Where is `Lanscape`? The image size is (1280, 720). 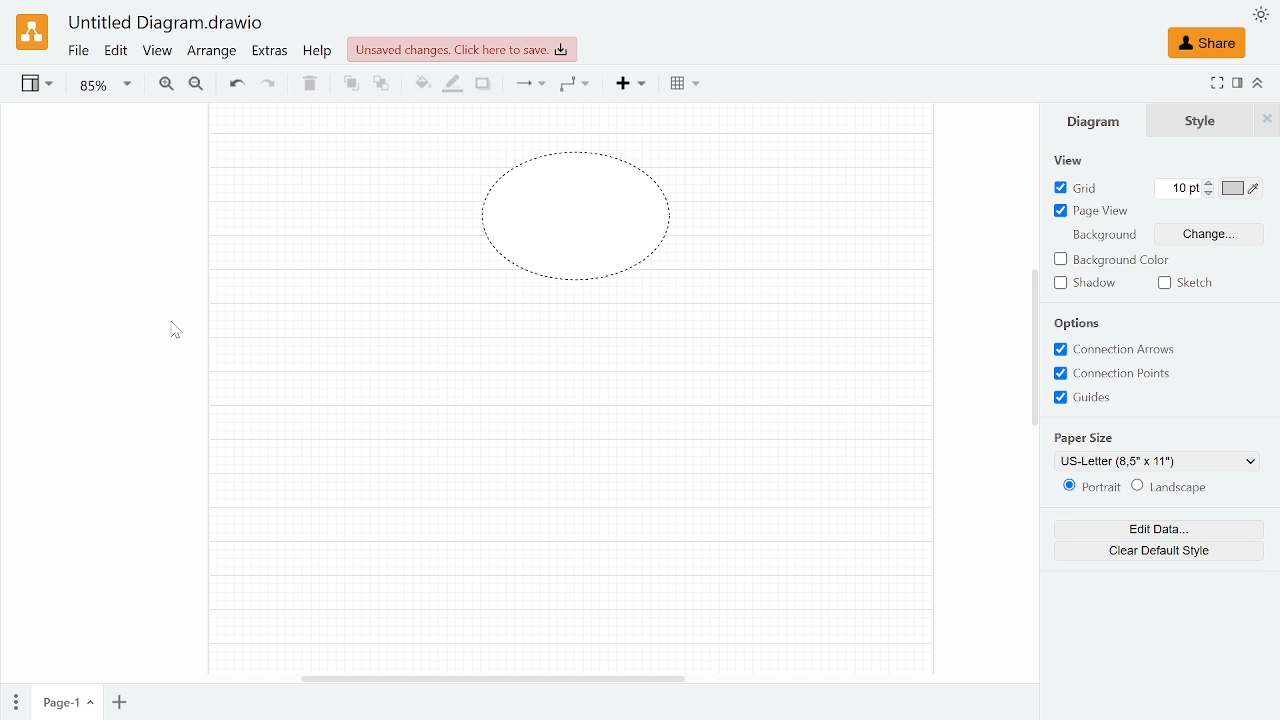 Lanscape is located at coordinates (1173, 487).